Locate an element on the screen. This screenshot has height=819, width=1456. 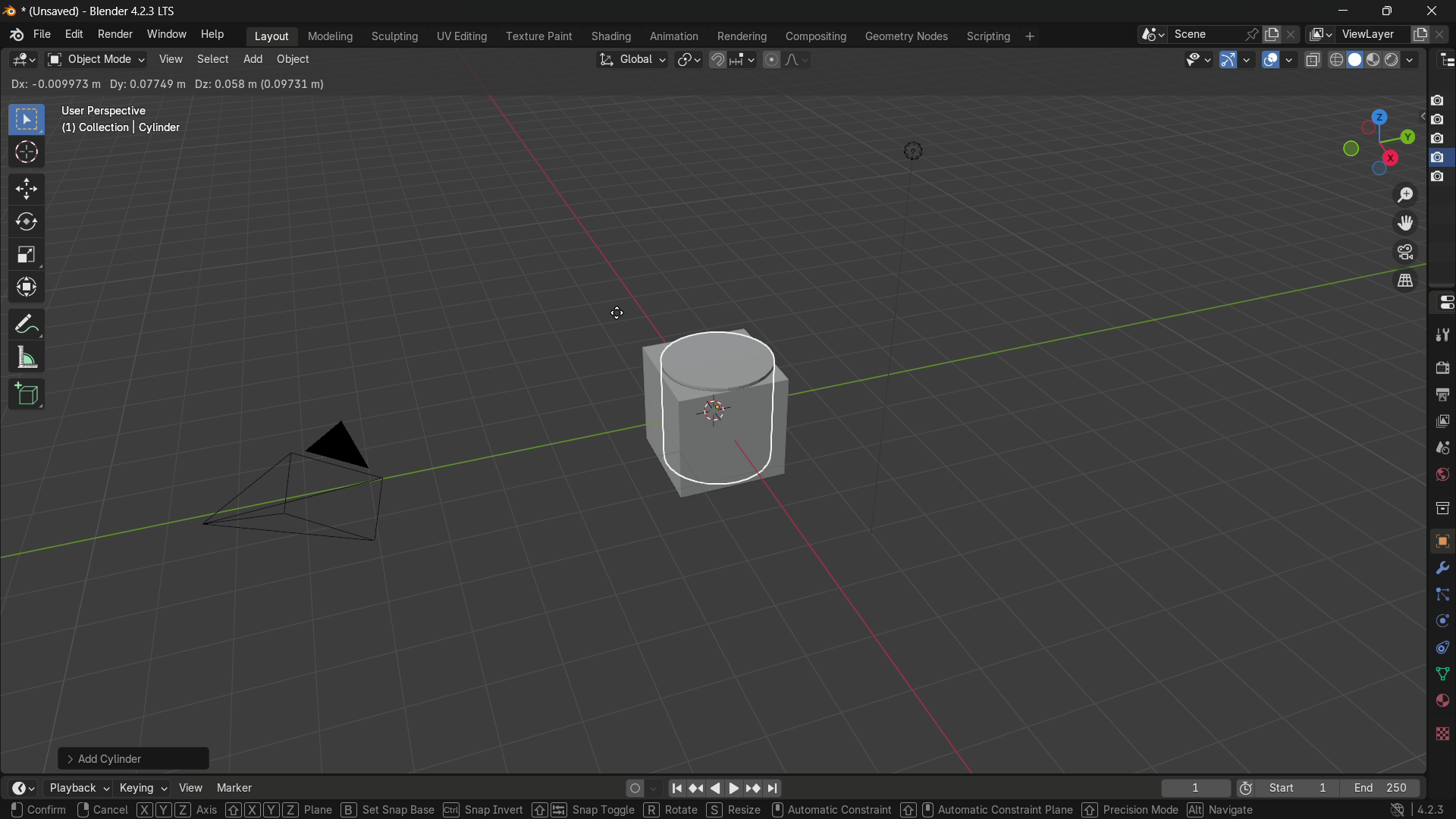
delete scene is located at coordinates (1291, 35).